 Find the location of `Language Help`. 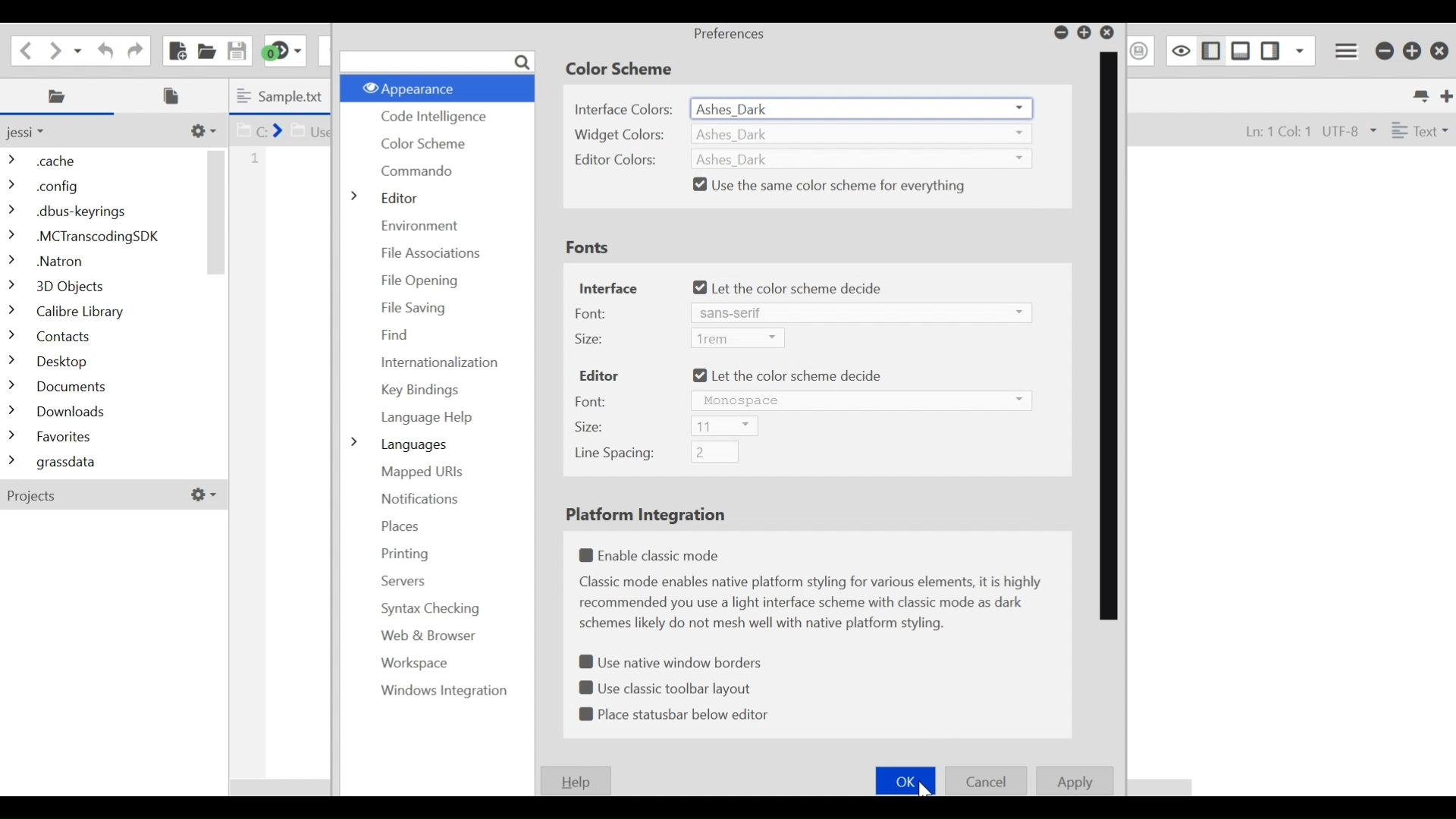

Language Help is located at coordinates (426, 419).